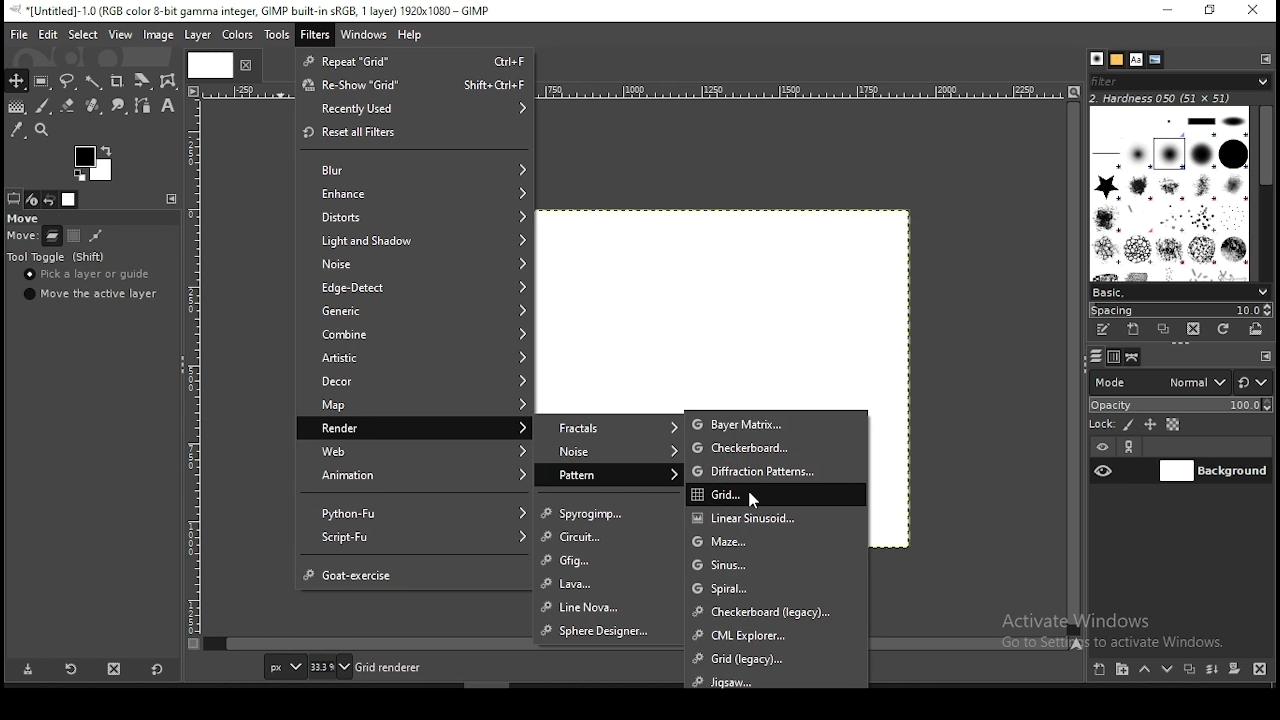 The image size is (1280, 720). What do you see at coordinates (774, 679) in the screenshot?
I see `jigsaw` at bounding box center [774, 679].